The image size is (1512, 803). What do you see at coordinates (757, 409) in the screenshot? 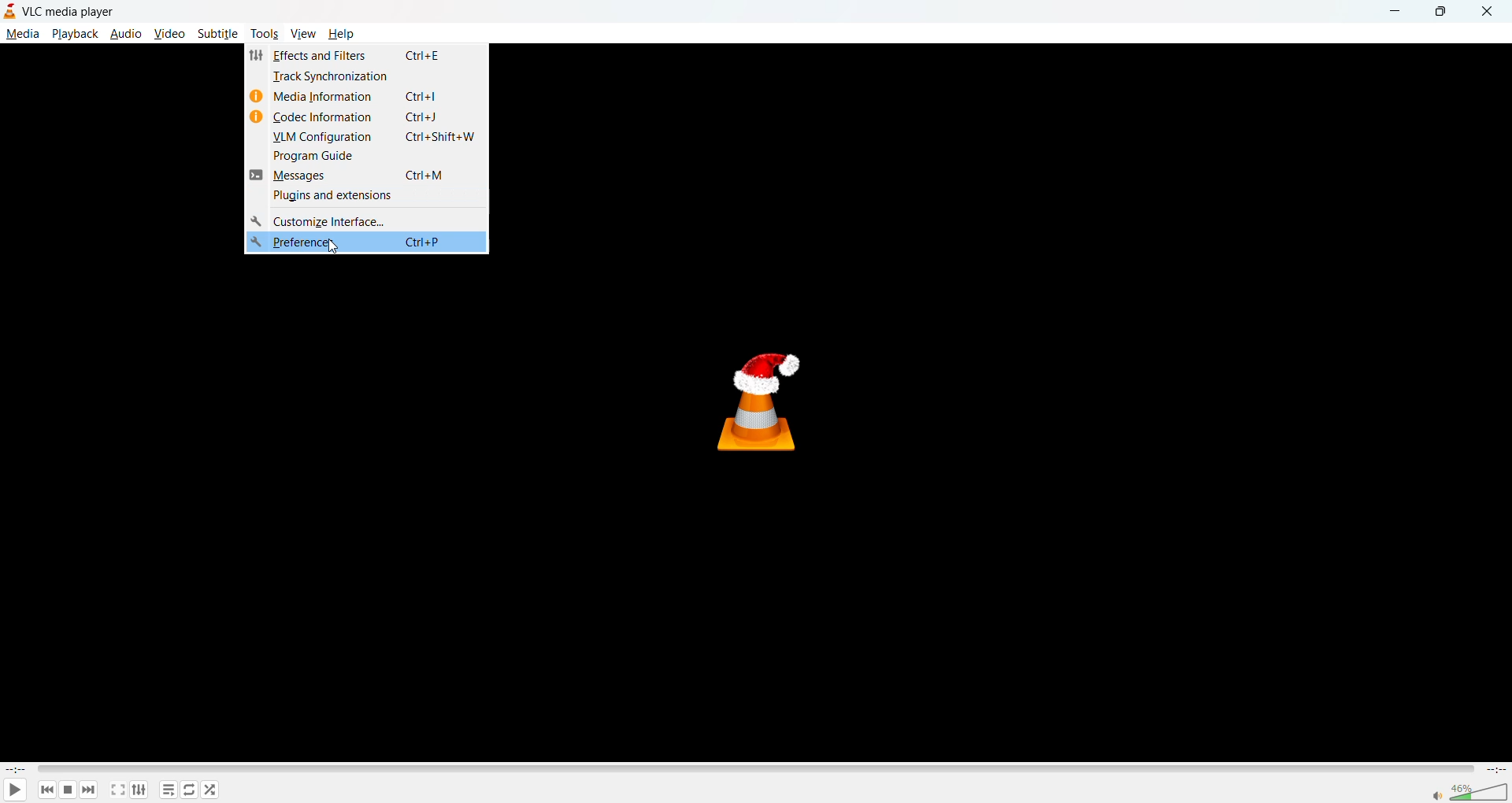
I see `thumbnail` at bounding box center [757, 409].